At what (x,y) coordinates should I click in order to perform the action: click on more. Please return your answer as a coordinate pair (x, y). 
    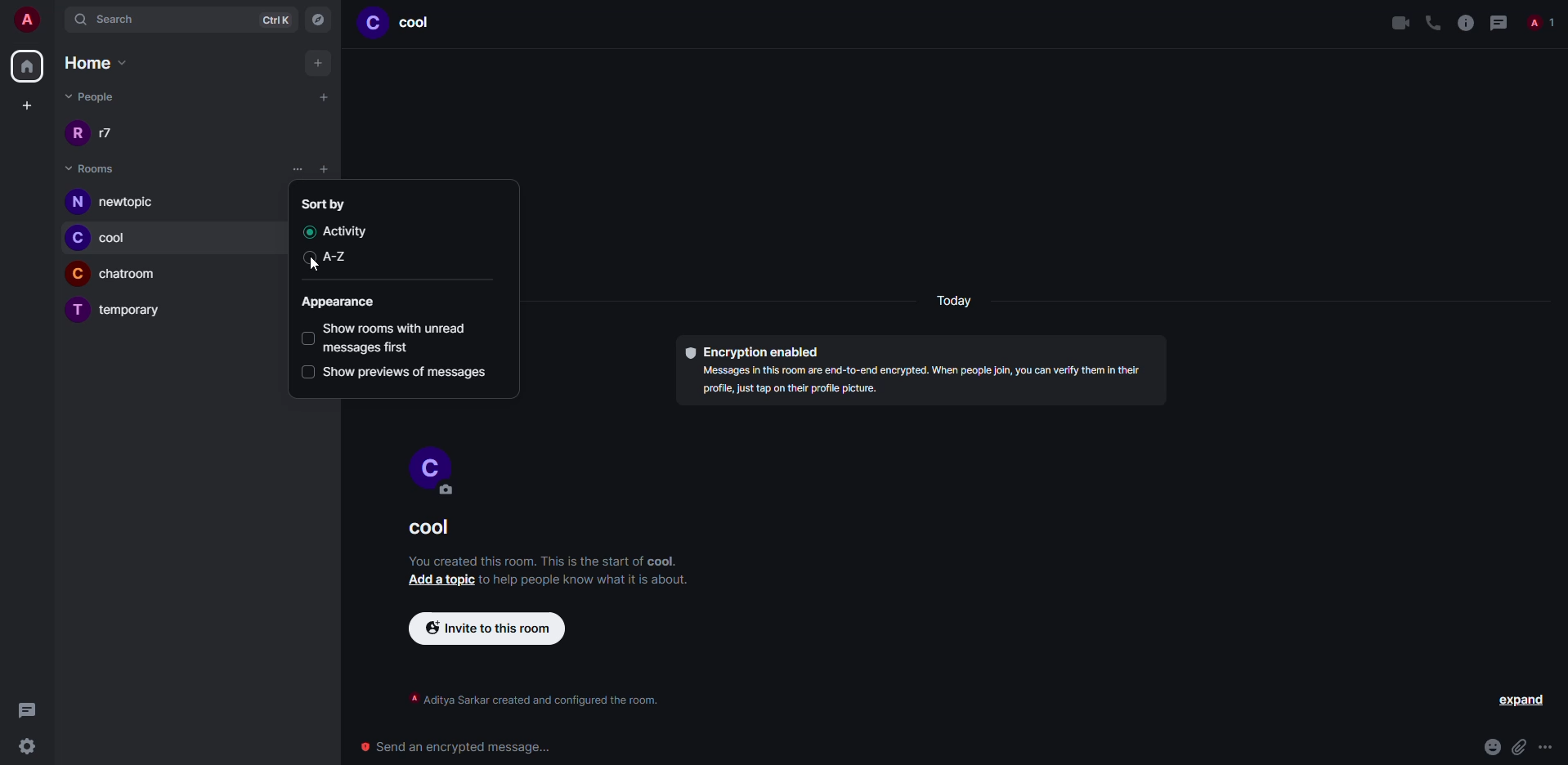
    Looking at the image, I should click on (1545, 747).